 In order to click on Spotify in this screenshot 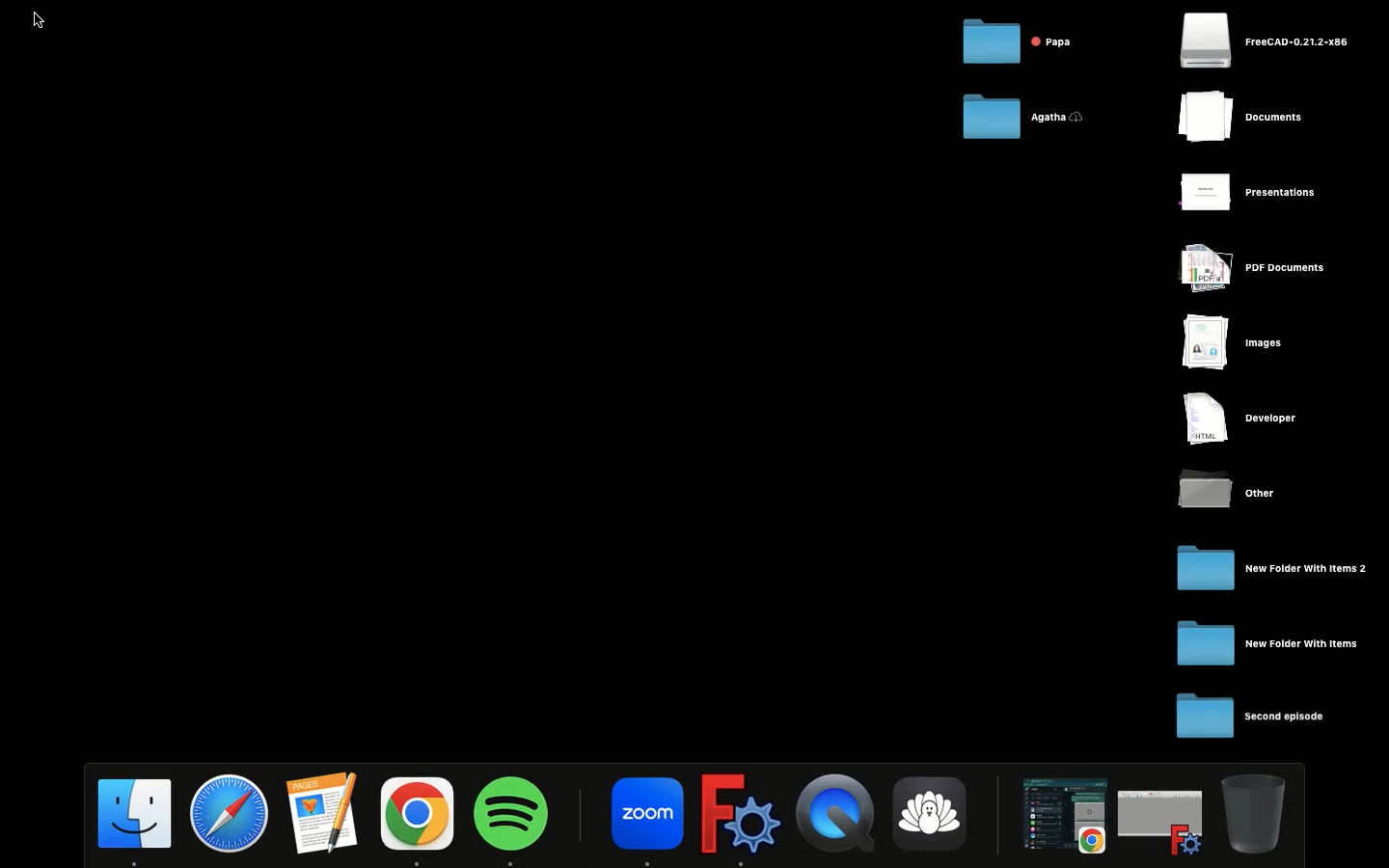, I will do `click(512, 818)`.